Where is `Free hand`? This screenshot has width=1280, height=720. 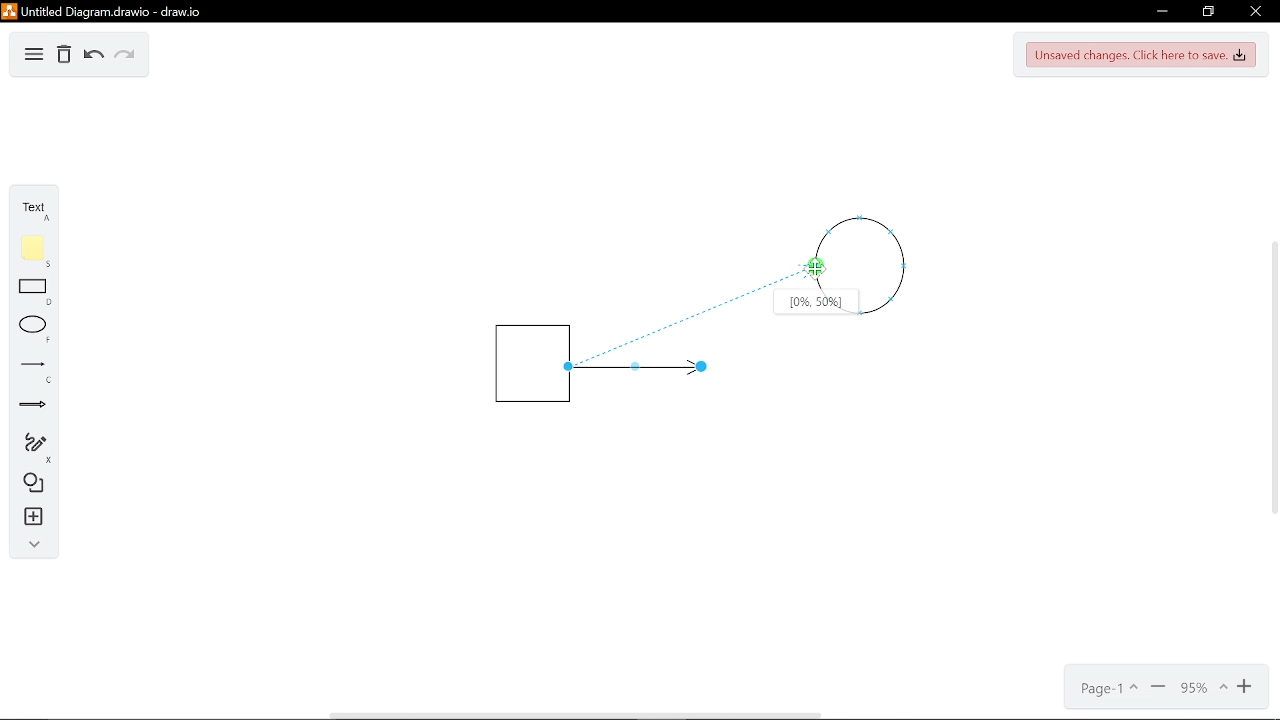 Free hand is located at coordinates (27, 446).